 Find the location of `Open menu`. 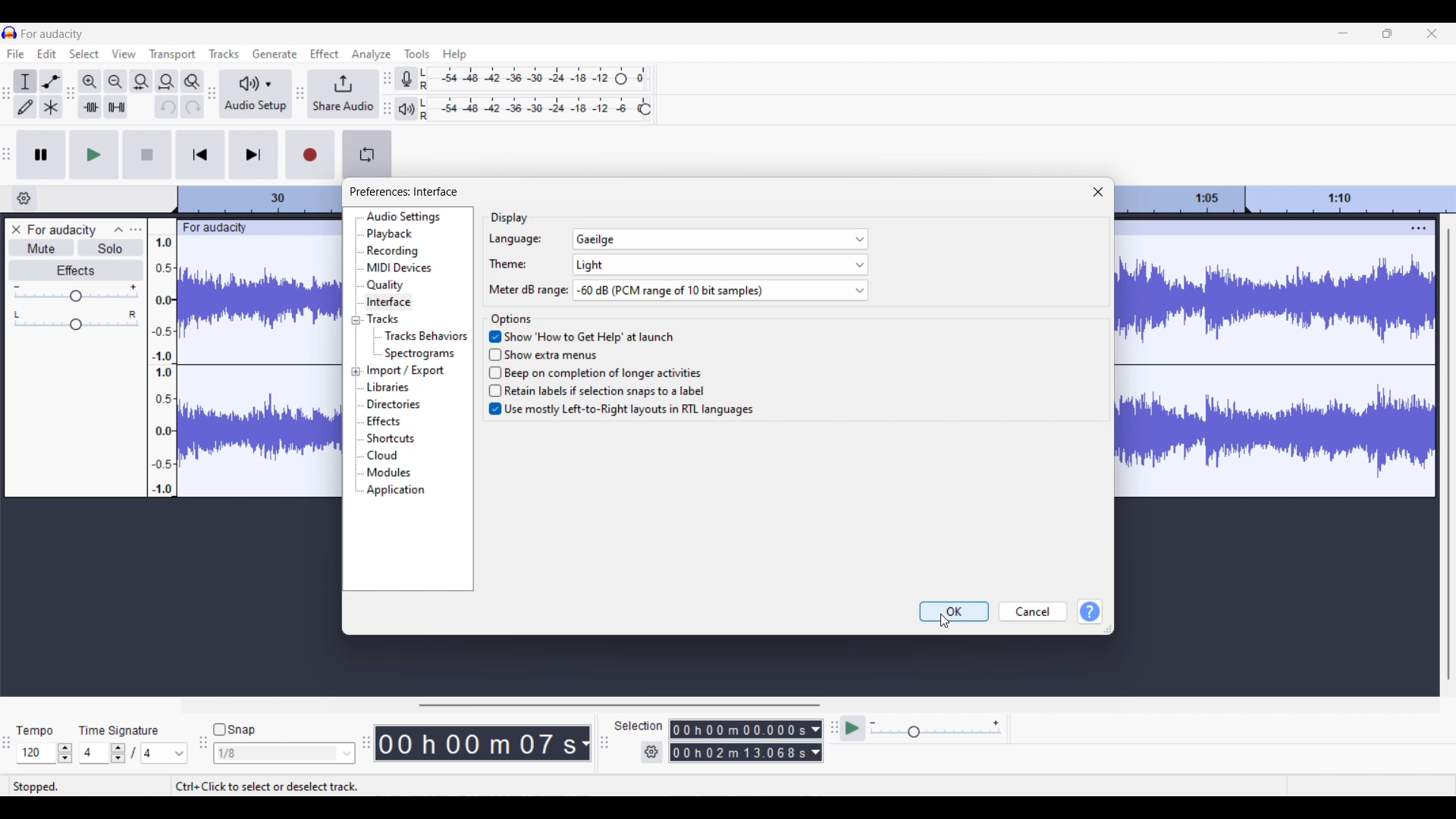

Open menu is located at coordinates (136, 231).